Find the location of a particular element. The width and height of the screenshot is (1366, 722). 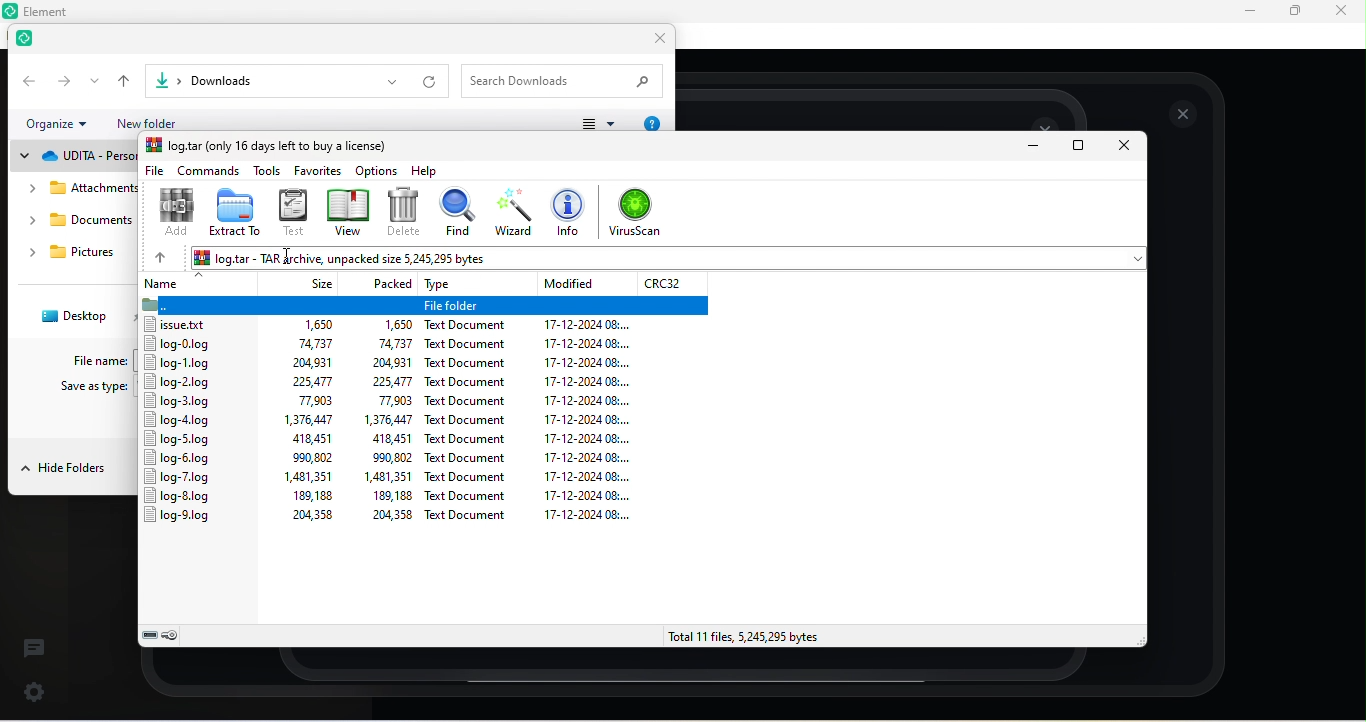

418,451 is located at coordinates (391, 439).